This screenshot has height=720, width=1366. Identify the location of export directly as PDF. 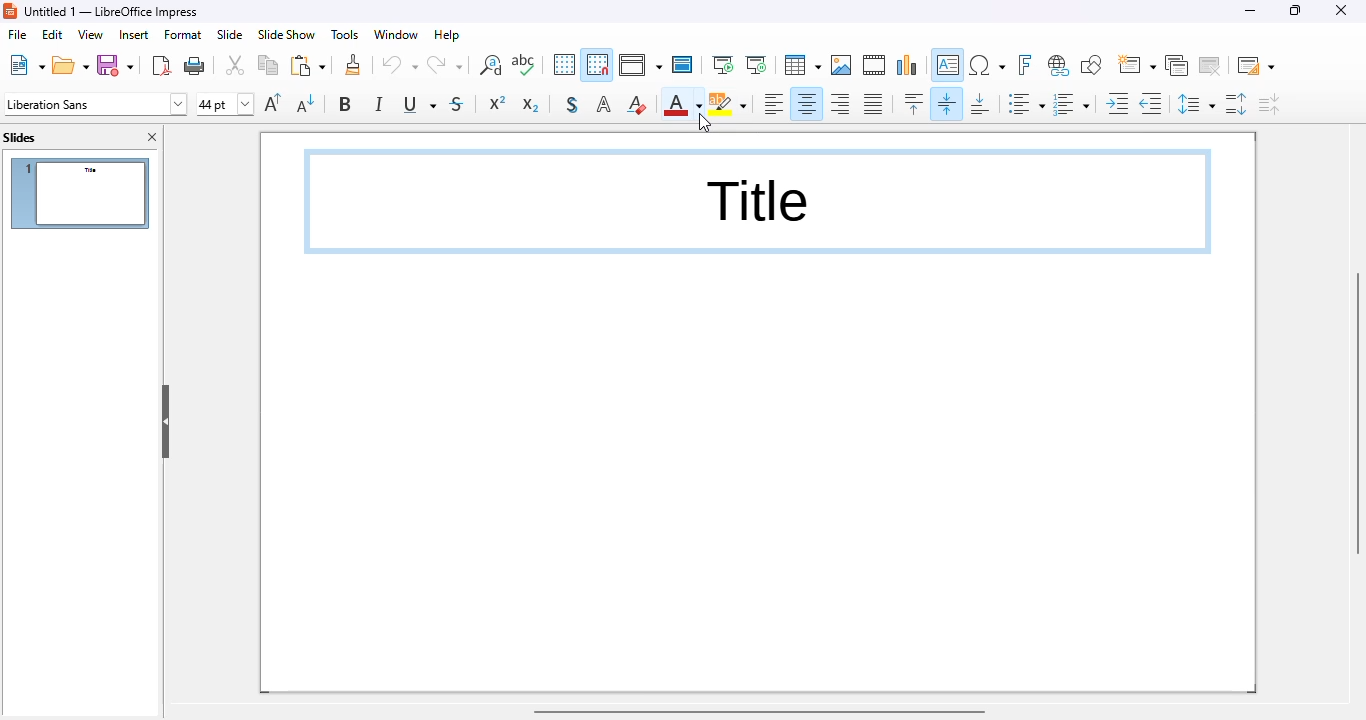
(163, 65).